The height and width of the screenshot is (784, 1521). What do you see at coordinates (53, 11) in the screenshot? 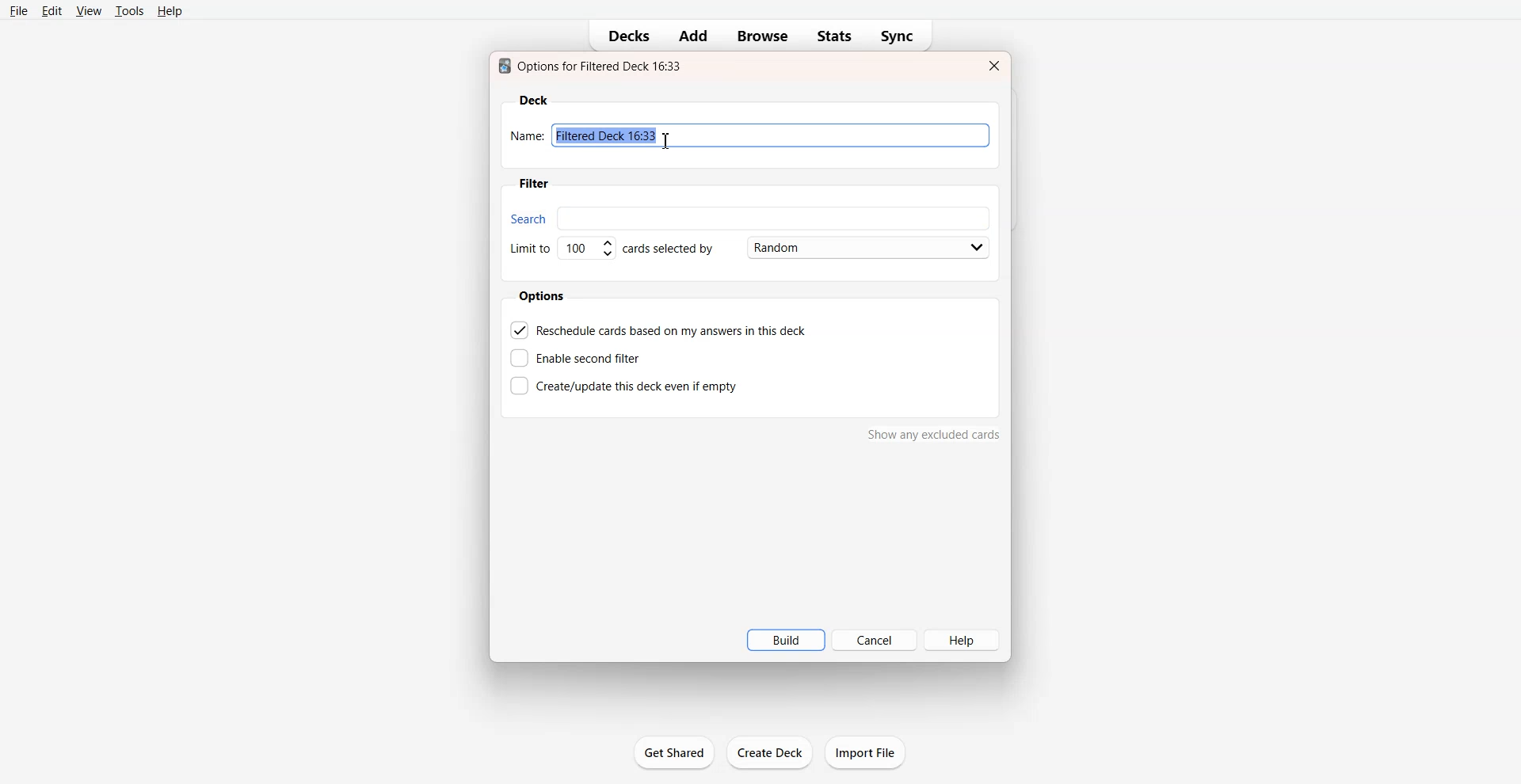
I see `Edit` at bounding box center [53, 11].